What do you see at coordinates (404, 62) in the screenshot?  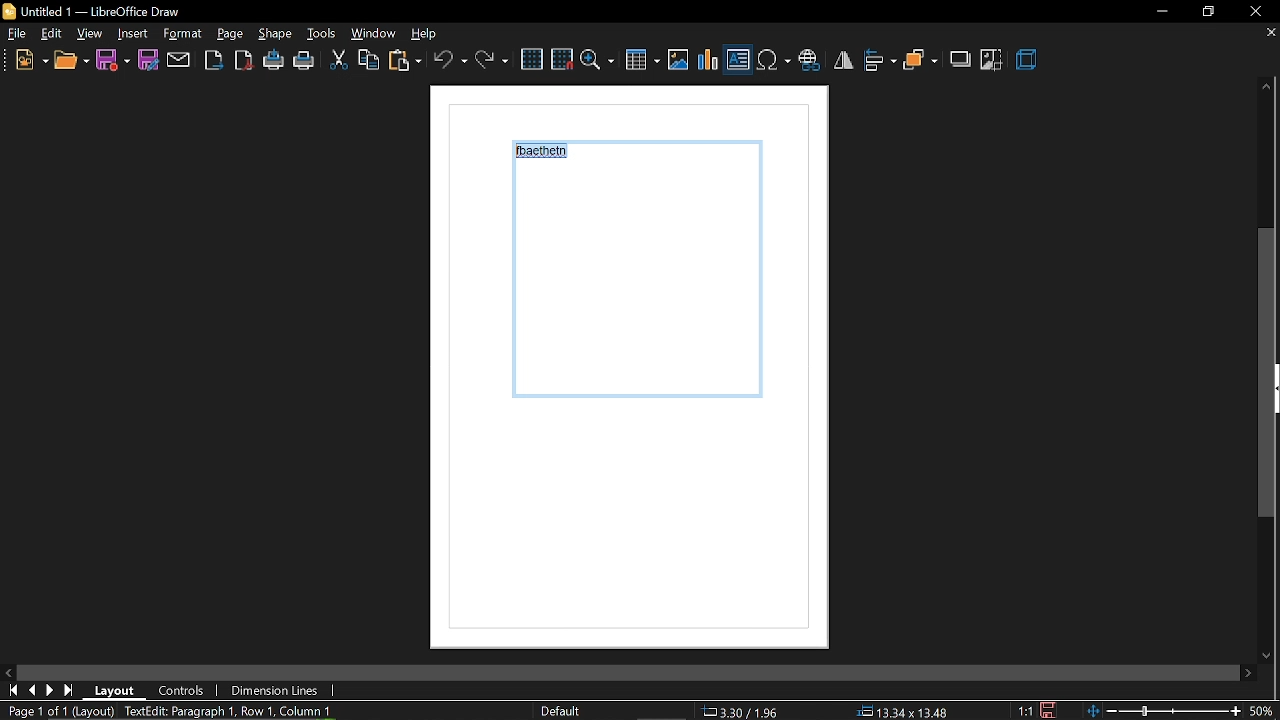 I see `paste` at bounding box center [404, 62].